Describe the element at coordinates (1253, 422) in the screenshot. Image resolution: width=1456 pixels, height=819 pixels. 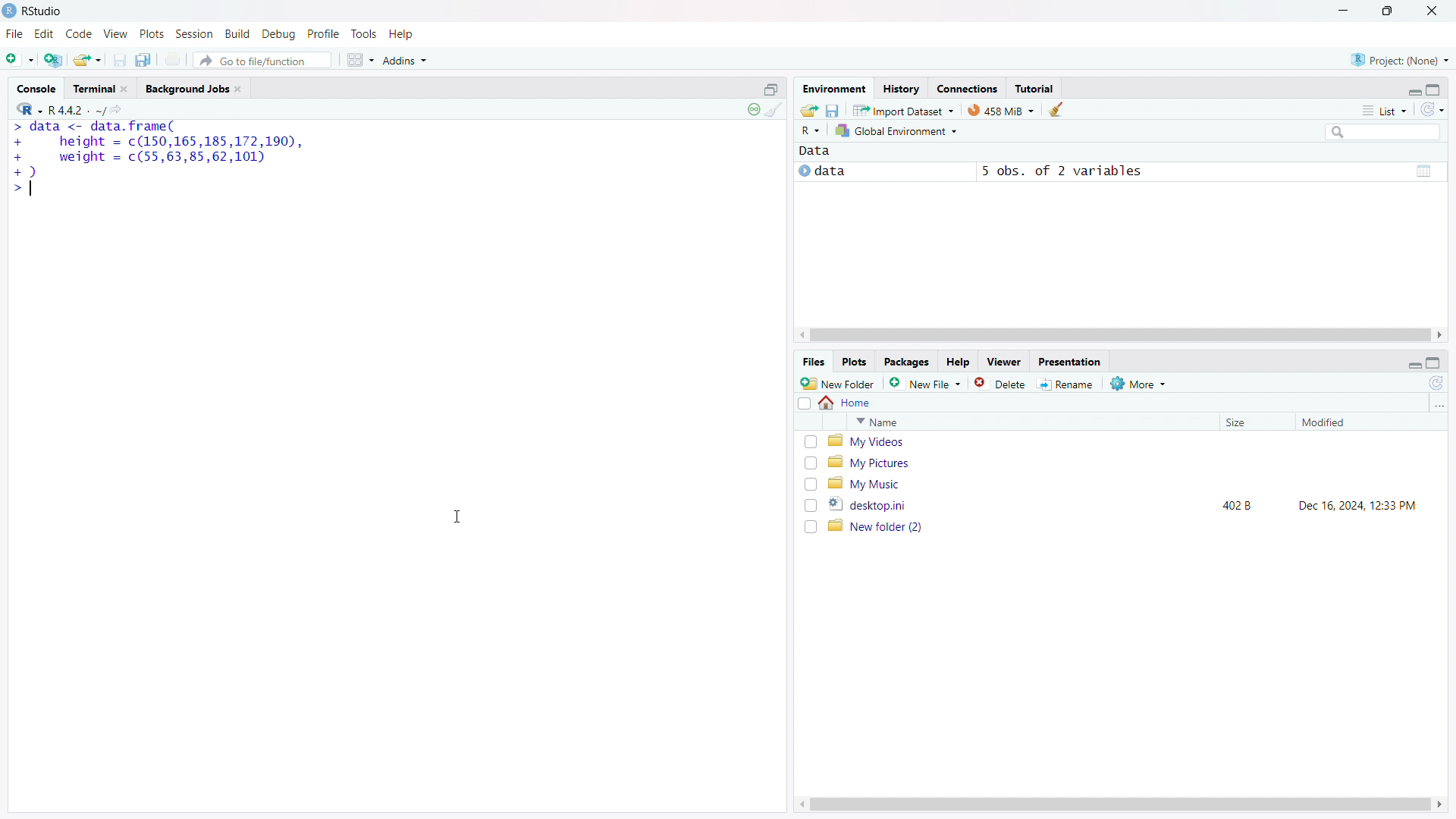
I see `size` at that location.